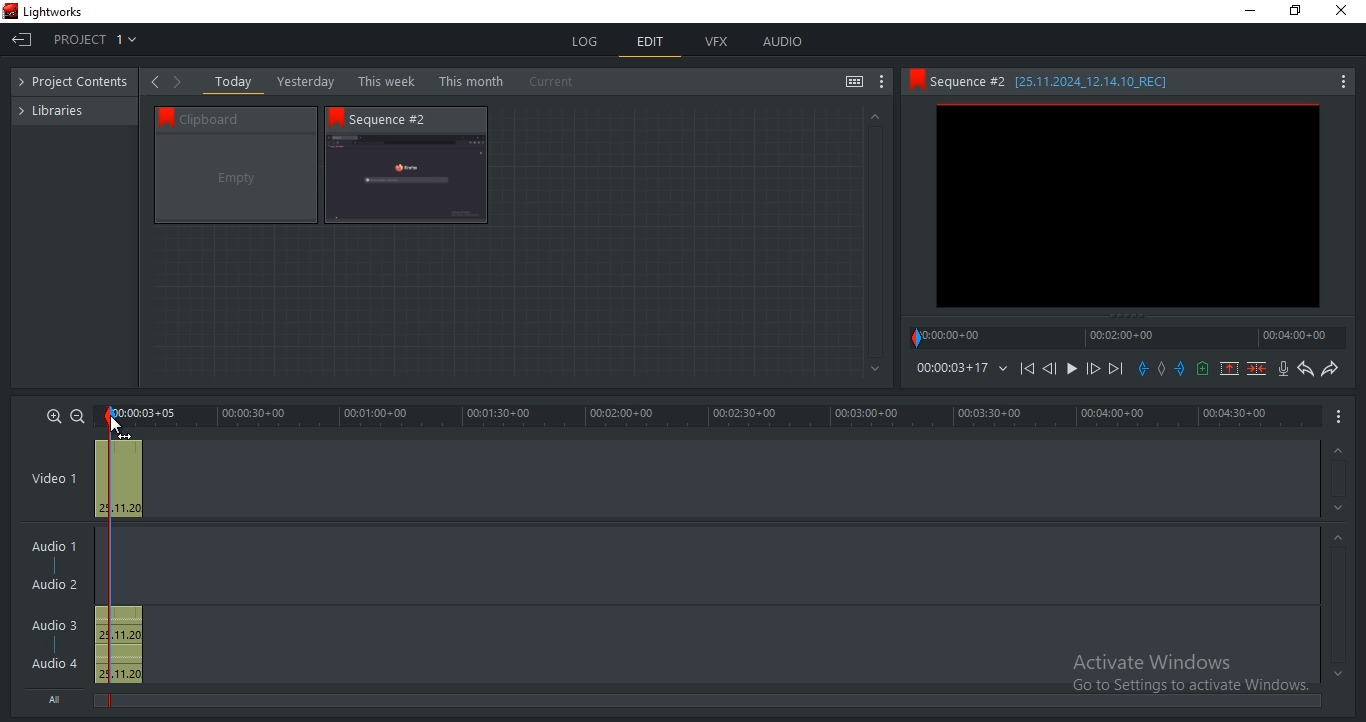 The image size is (1366, 722). Describe the element at coordinates (587, 41) in the screenshot. I see `log` at that location.